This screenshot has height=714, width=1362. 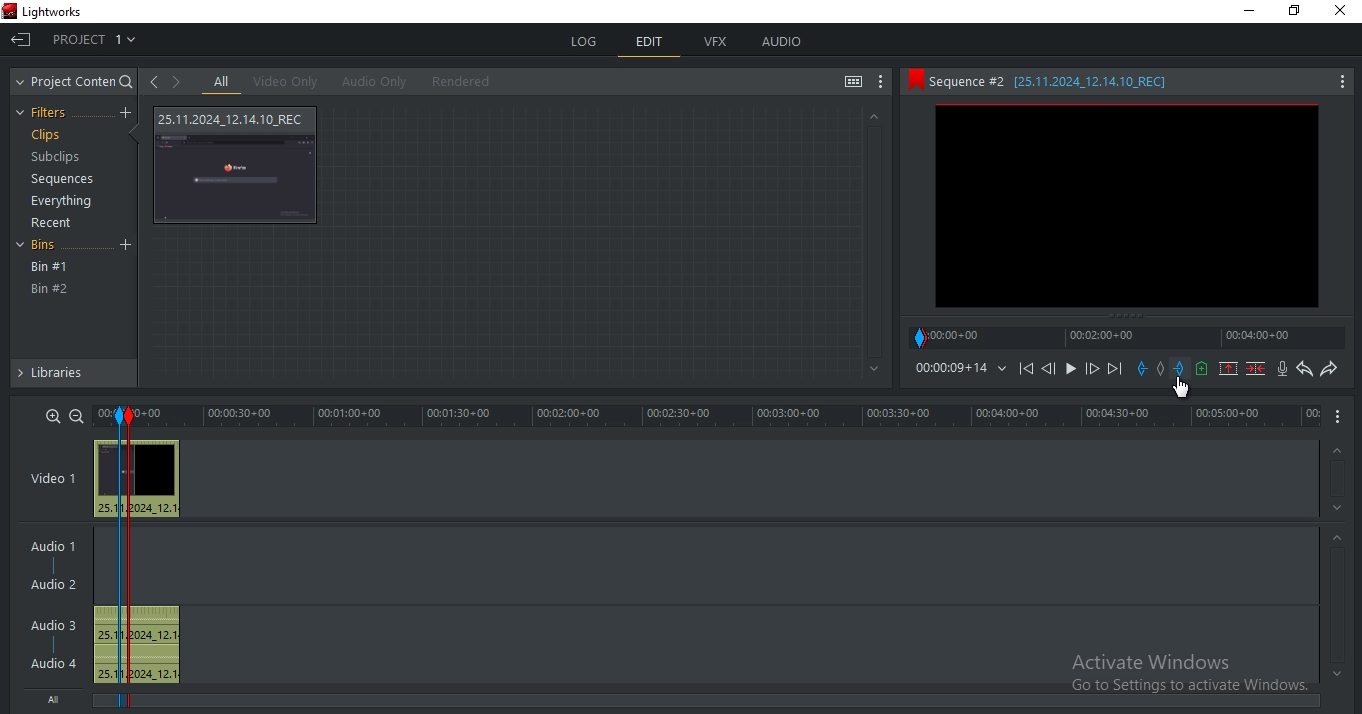 I want to click on Up, so click(x=873, y=116).